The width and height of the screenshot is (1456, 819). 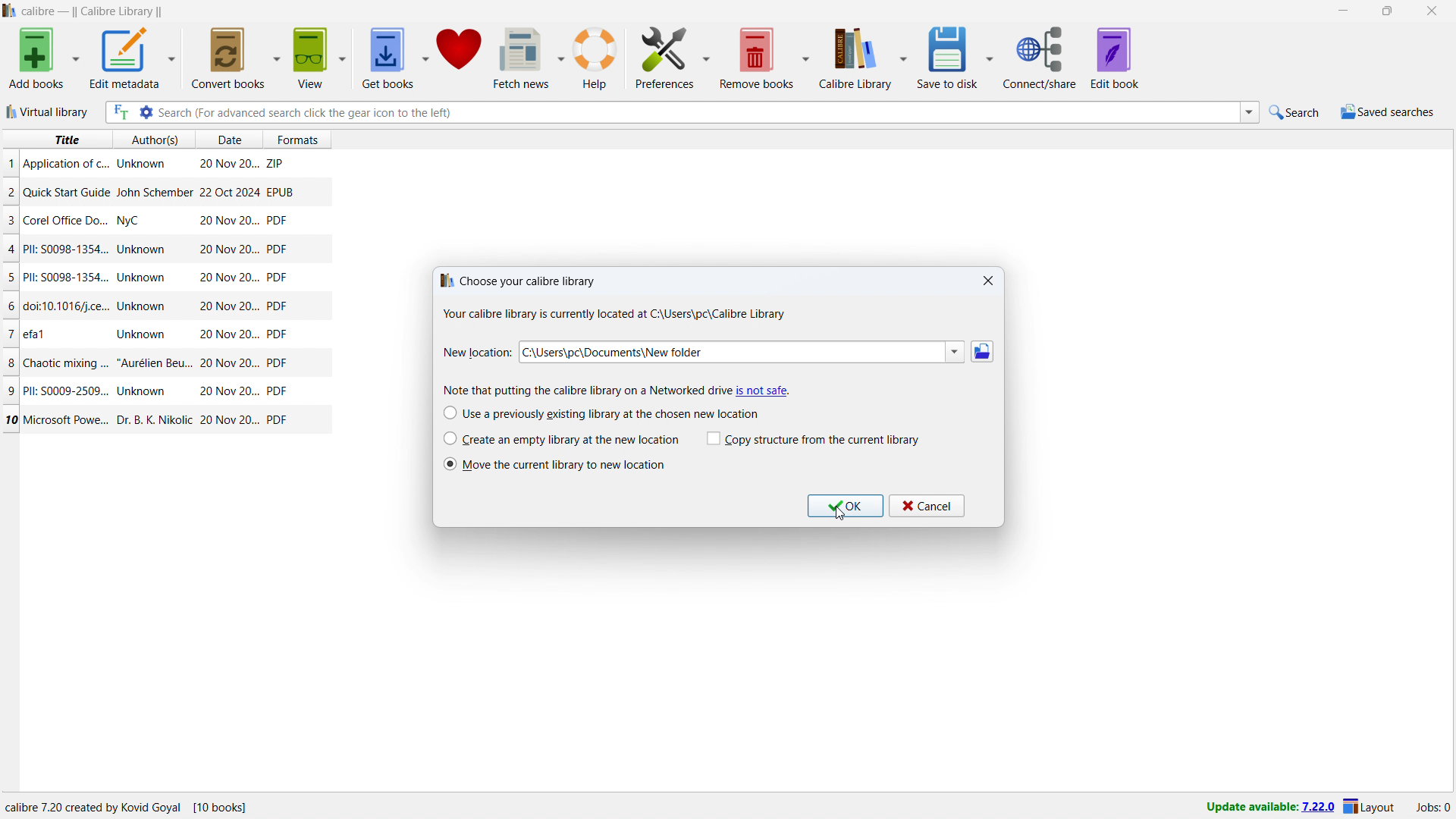 What do you see at coordinates (12, 249) in the screenshot?
I see `4` at bounding box center [12, 249].